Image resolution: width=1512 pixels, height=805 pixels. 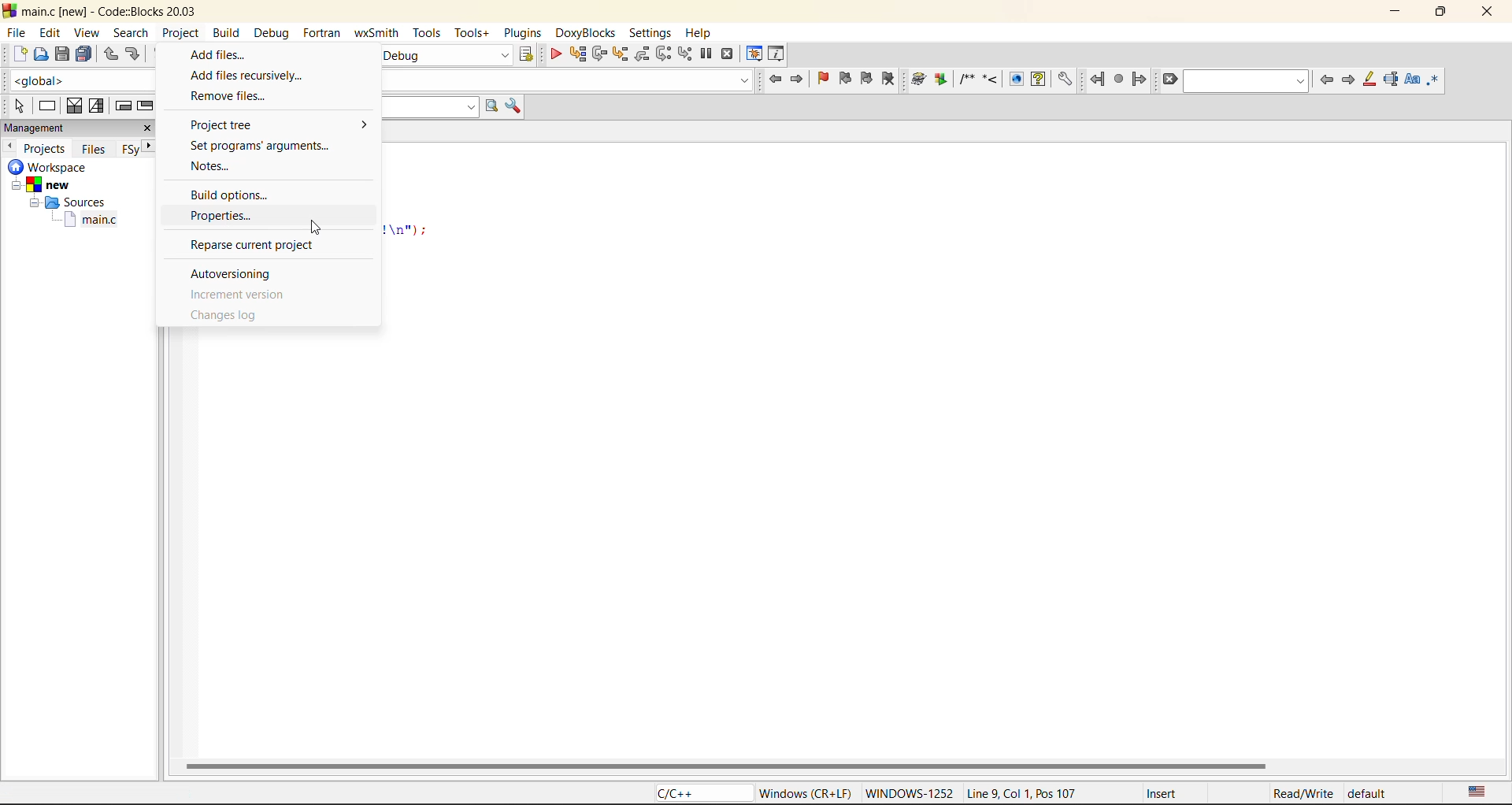 I want to click on search, so click(x=130, y=34).